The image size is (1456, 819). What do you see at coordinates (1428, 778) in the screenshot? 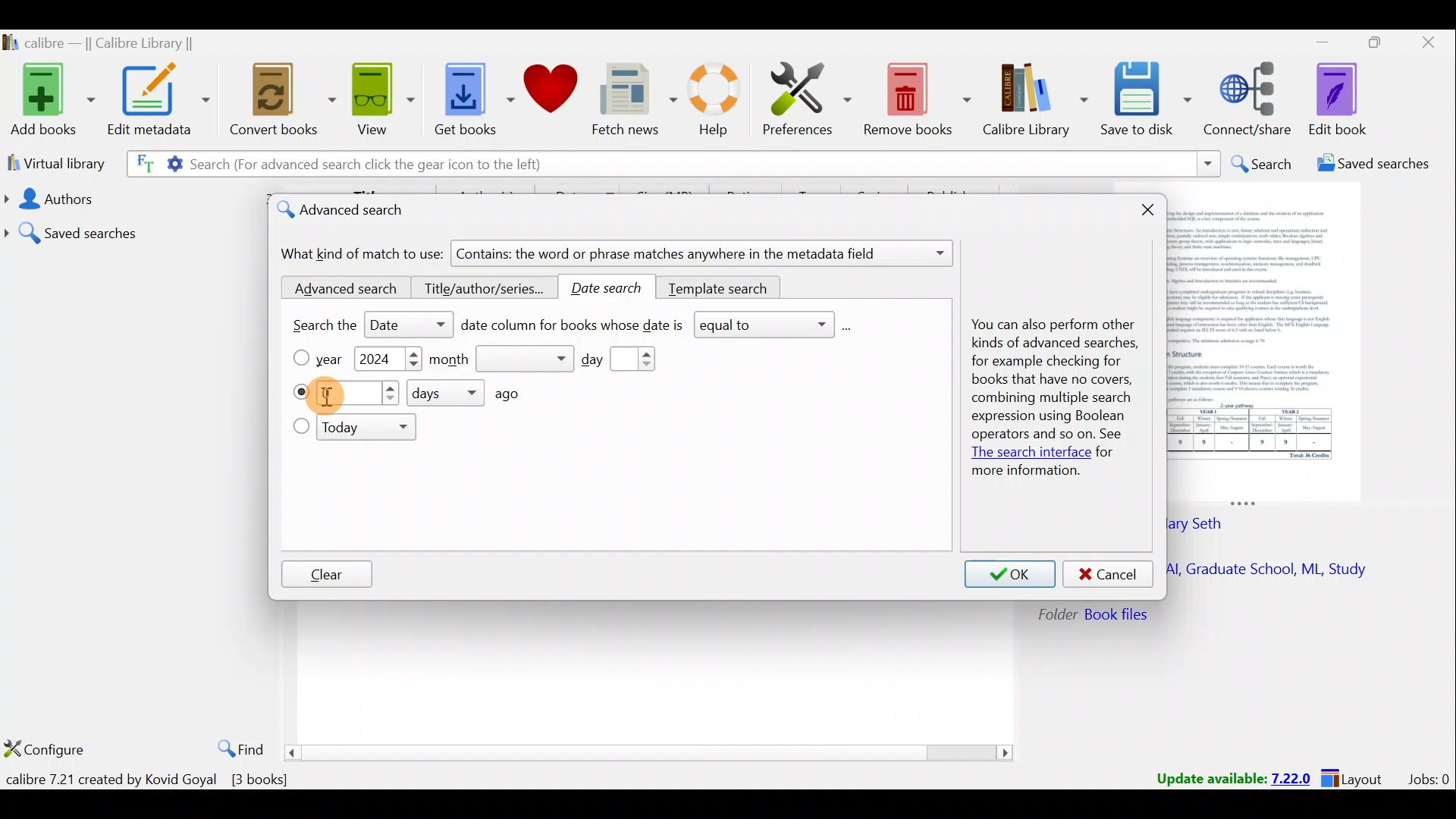
I see `Jobs:0` at bounding box center [1428, 778].